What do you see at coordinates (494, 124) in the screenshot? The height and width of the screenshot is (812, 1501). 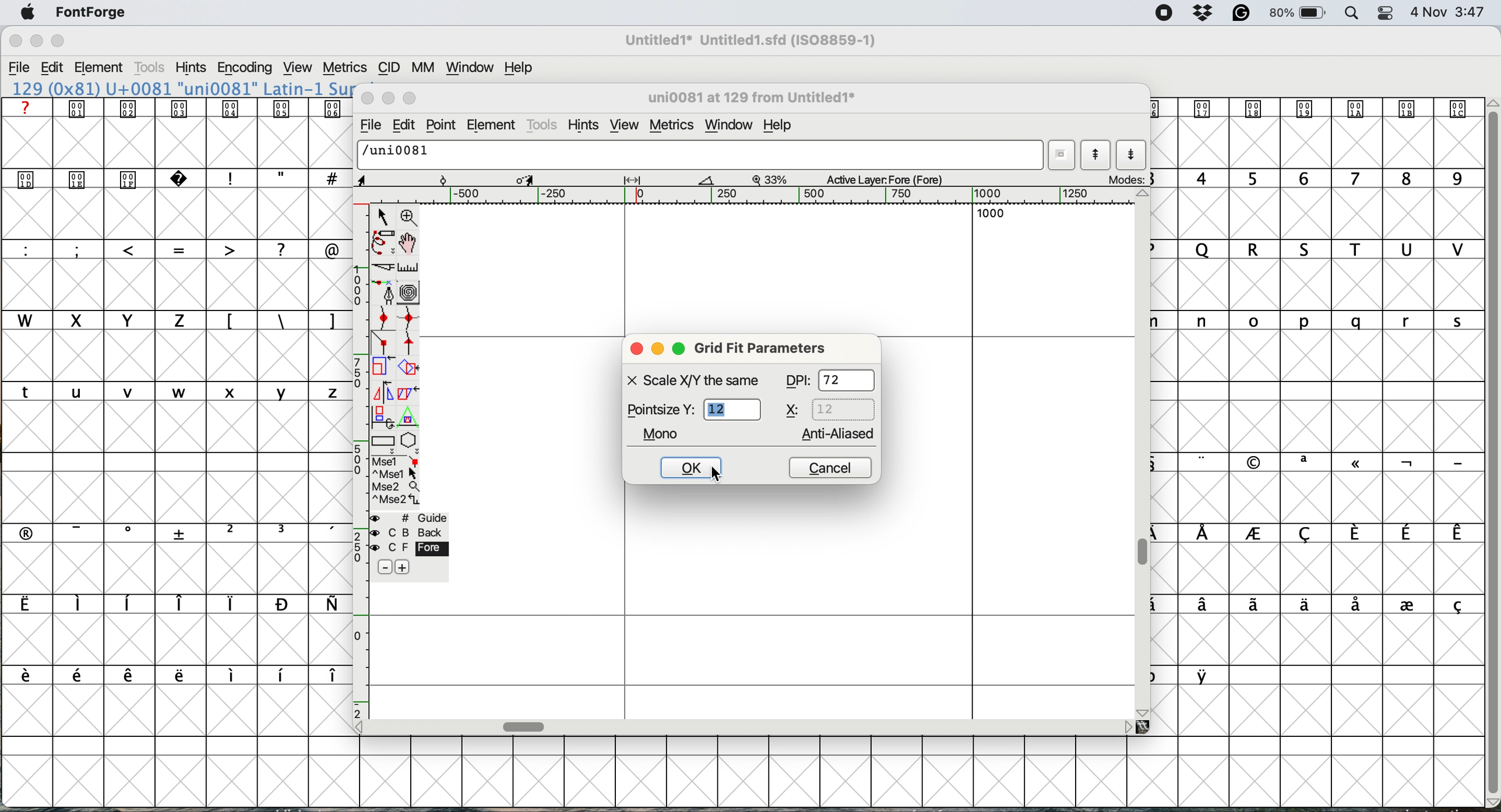 I see `element` at bounding box center [494, 124].